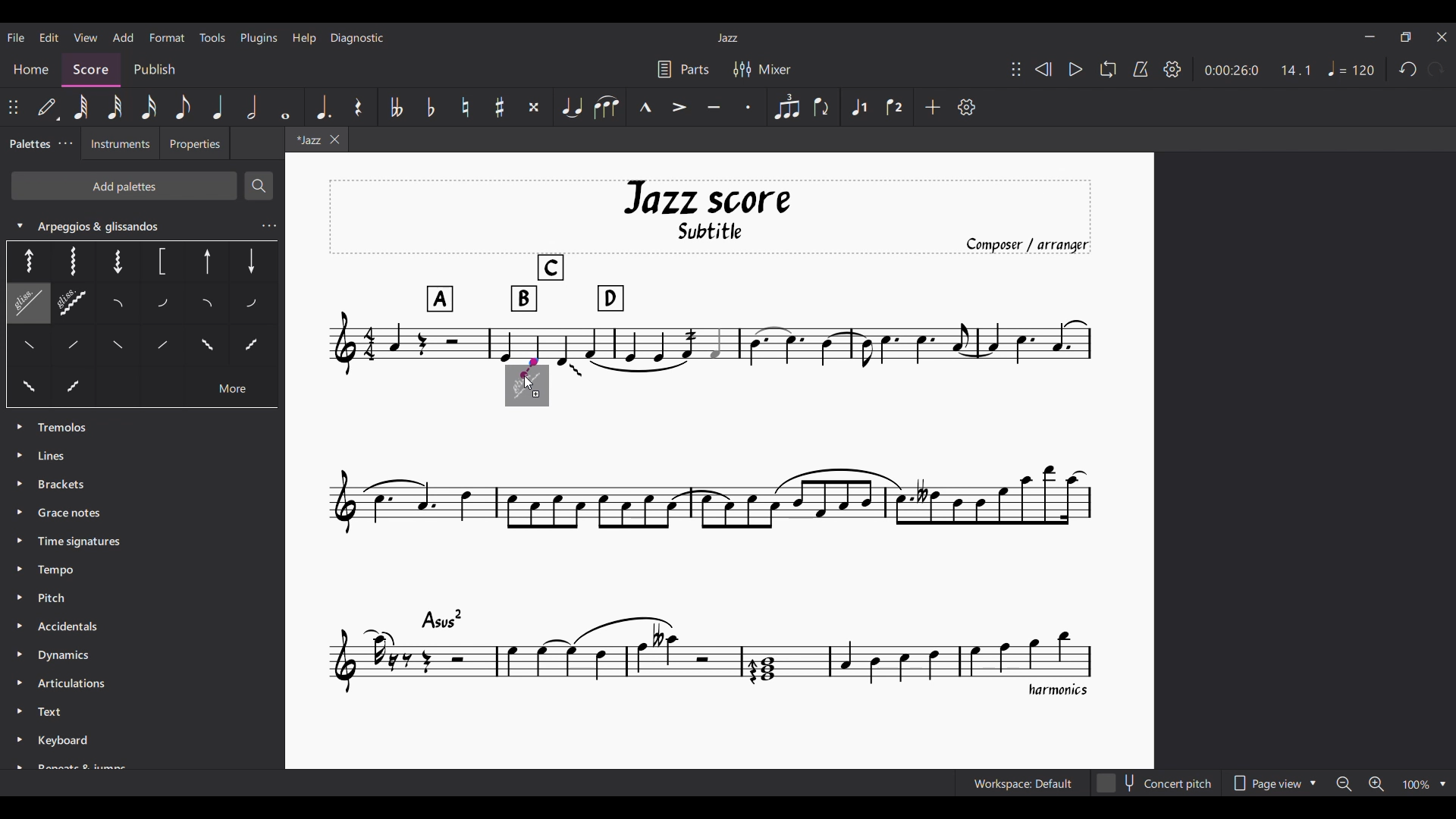  I want to click on Palette options, so click(67, 428).